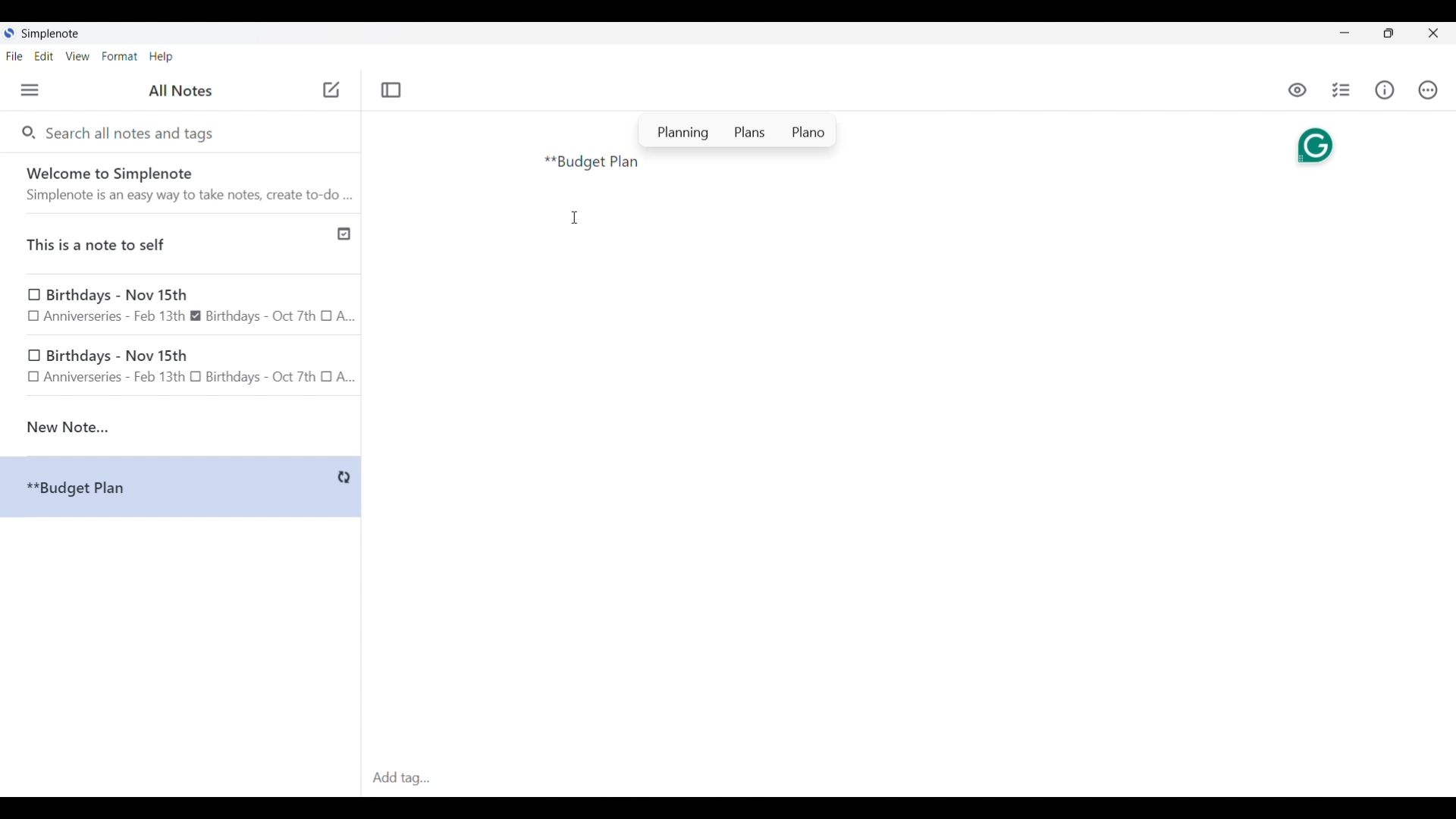 The width and height of the screenshot is (1456, 819). Describe the element at coordinates (738, 130) in the screenshot. I see `Word suggestions text typed in` at that location.